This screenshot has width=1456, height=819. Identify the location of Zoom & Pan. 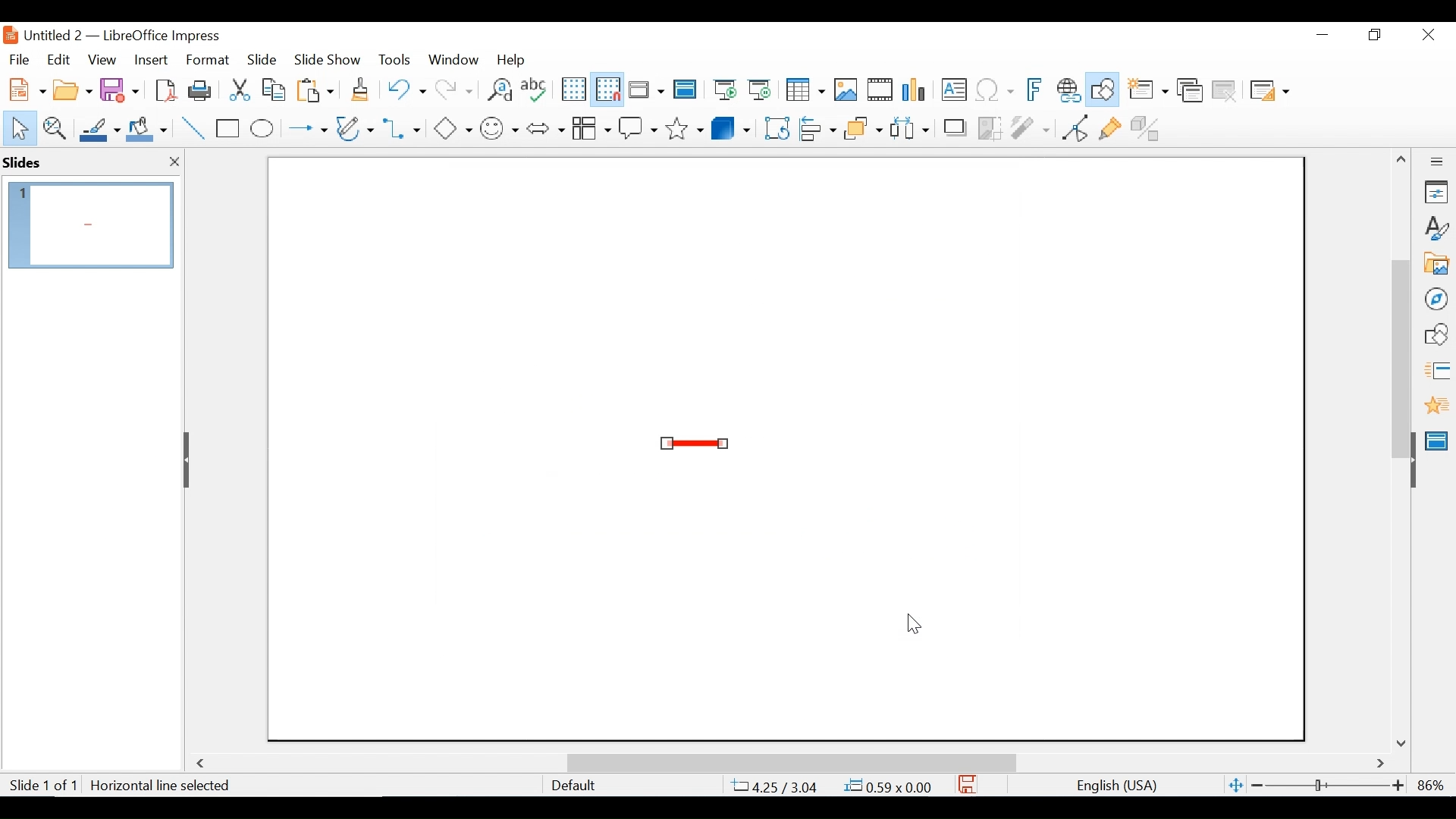
(54, 127).